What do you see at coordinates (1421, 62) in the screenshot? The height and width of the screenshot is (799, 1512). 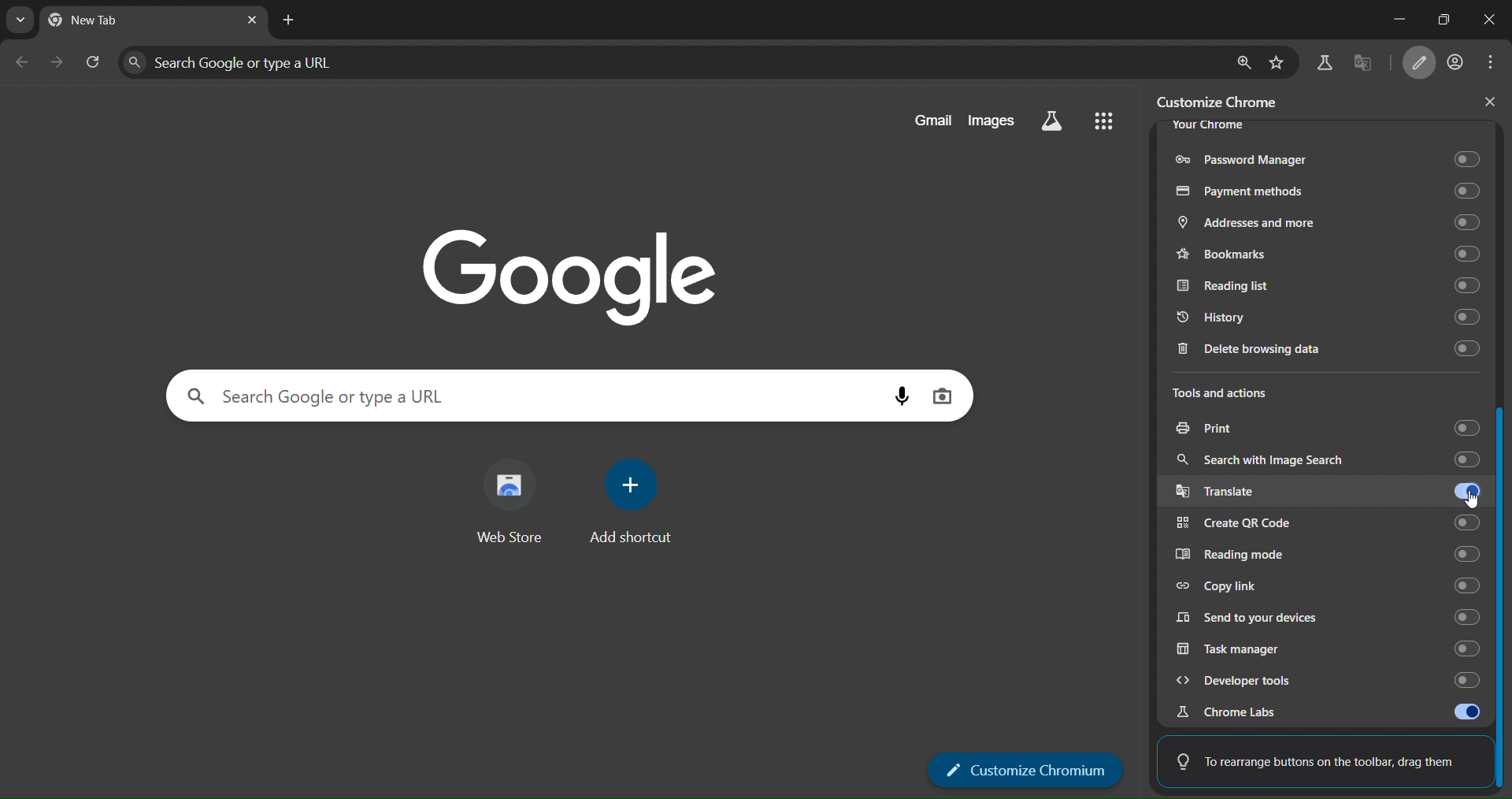 I see `customize chromium` at bounding box center [1421, 62].